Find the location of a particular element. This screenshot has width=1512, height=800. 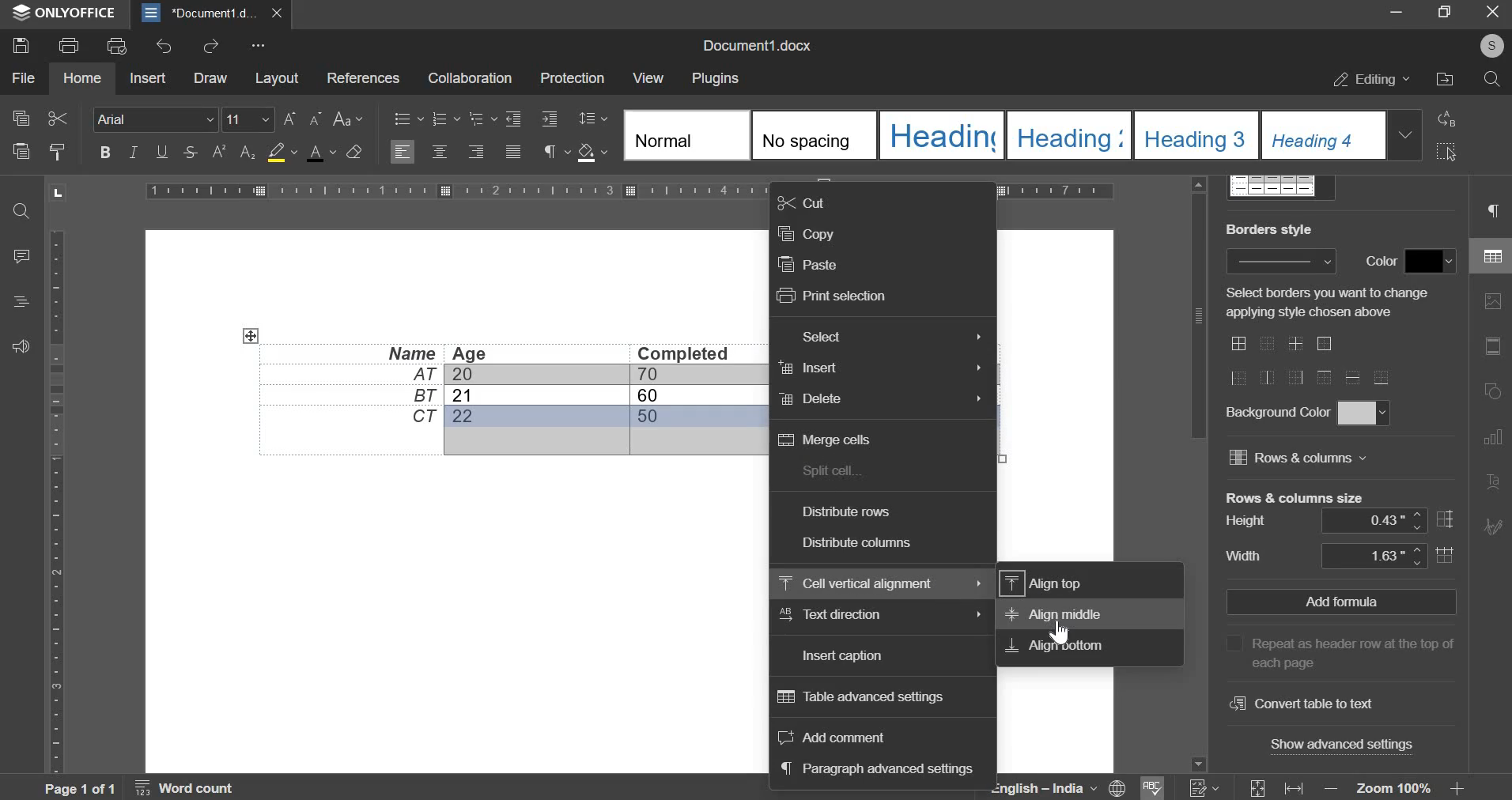

cell vertical alignment is located at coordinates (856, 581).